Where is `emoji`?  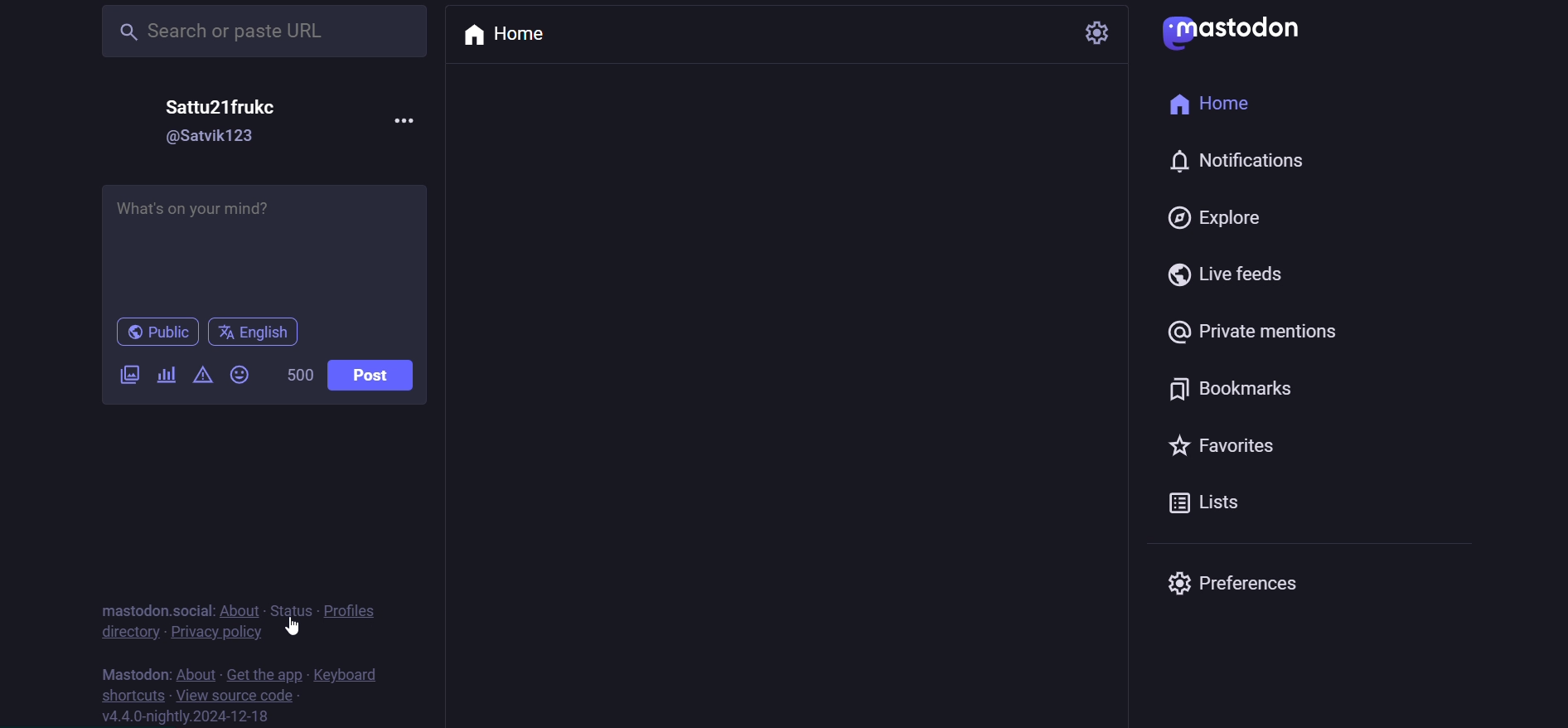 emoji is located at coordinates (243, 375).